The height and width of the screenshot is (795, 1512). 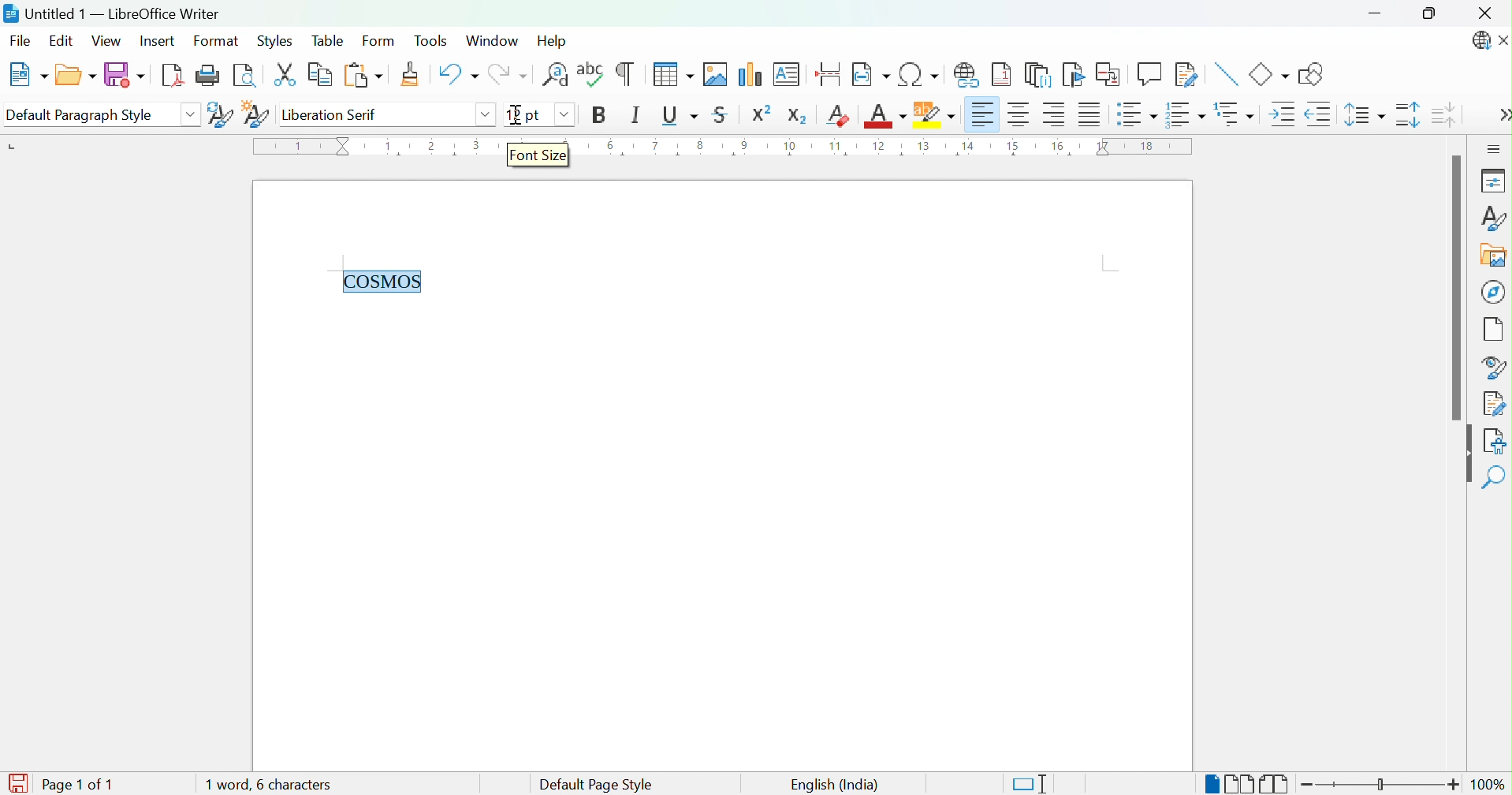 I want to click on Save, so click(x=124, y=76).